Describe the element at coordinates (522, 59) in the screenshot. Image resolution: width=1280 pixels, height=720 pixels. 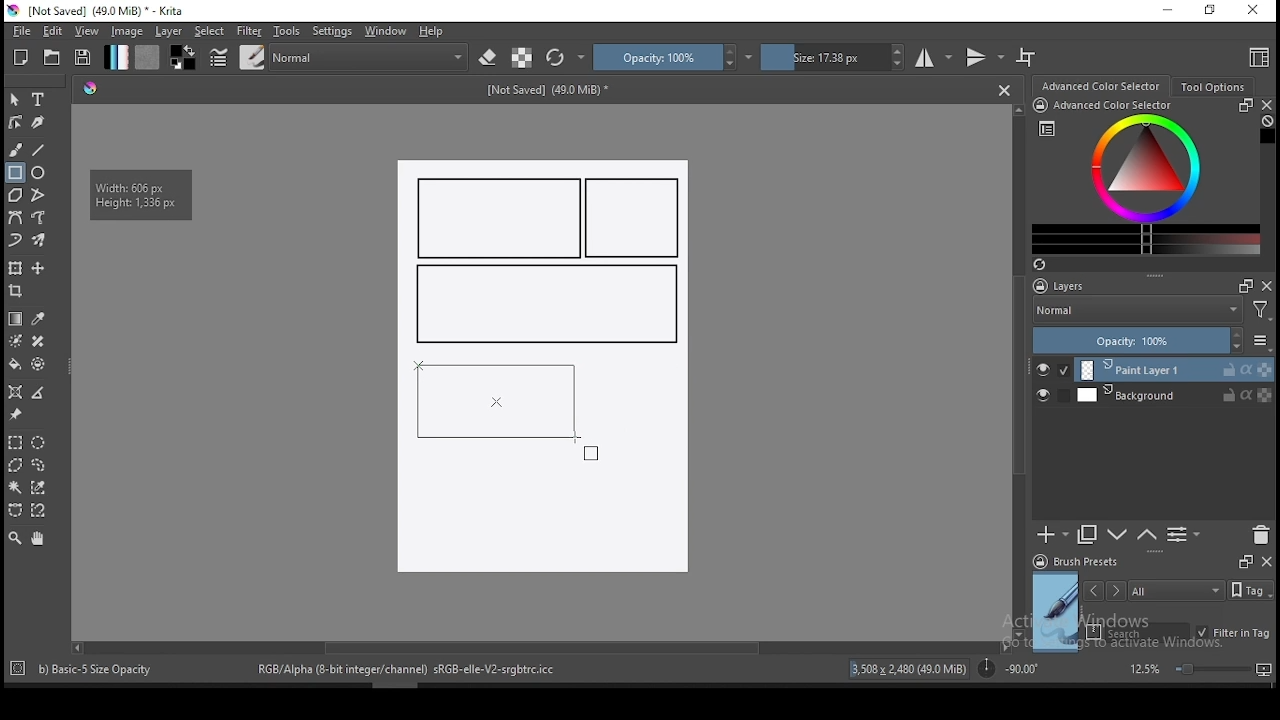
I see `preserve alpha` at that location.